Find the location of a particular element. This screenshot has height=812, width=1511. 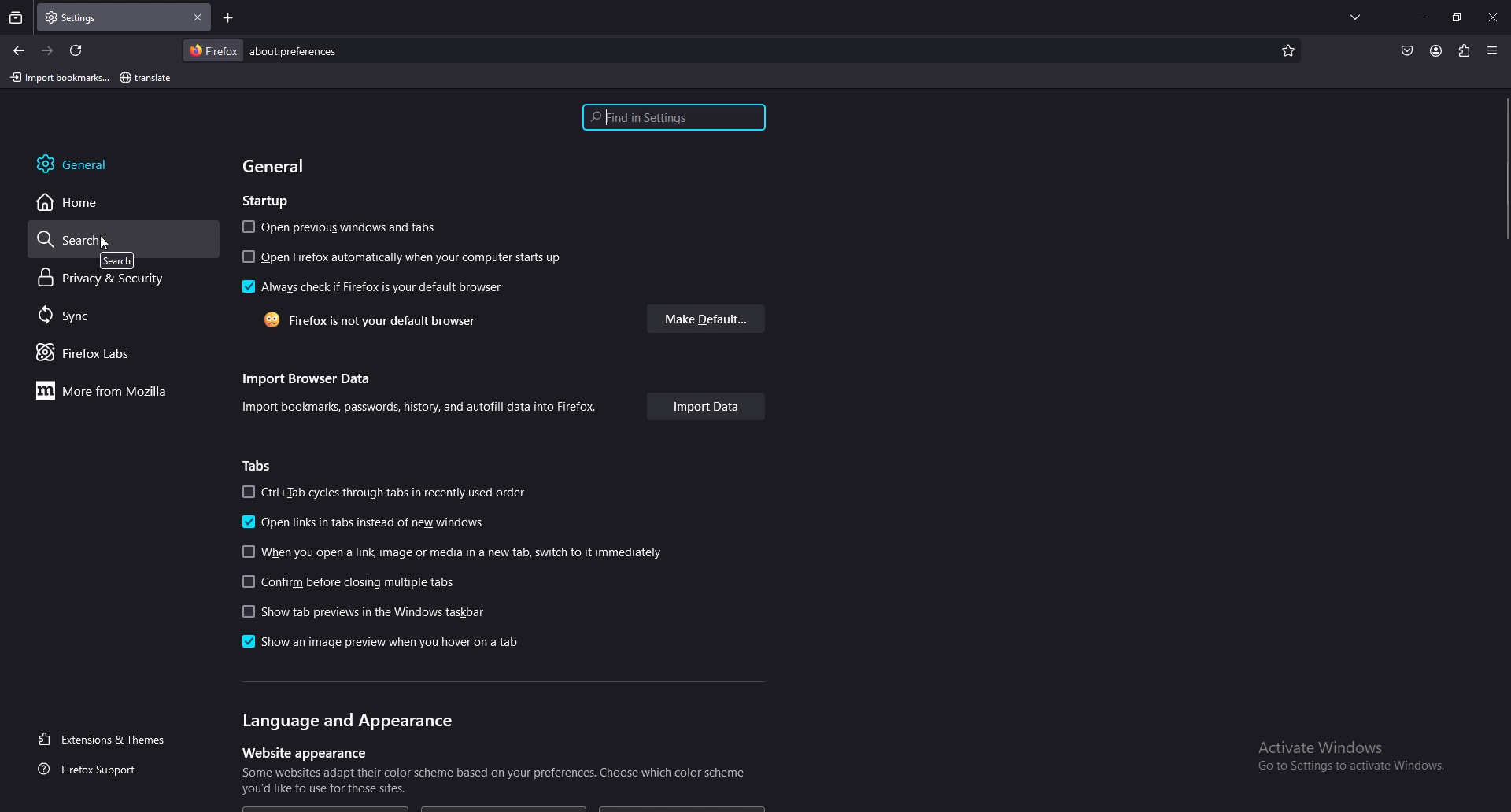

info is located at coordinates (504, 775).